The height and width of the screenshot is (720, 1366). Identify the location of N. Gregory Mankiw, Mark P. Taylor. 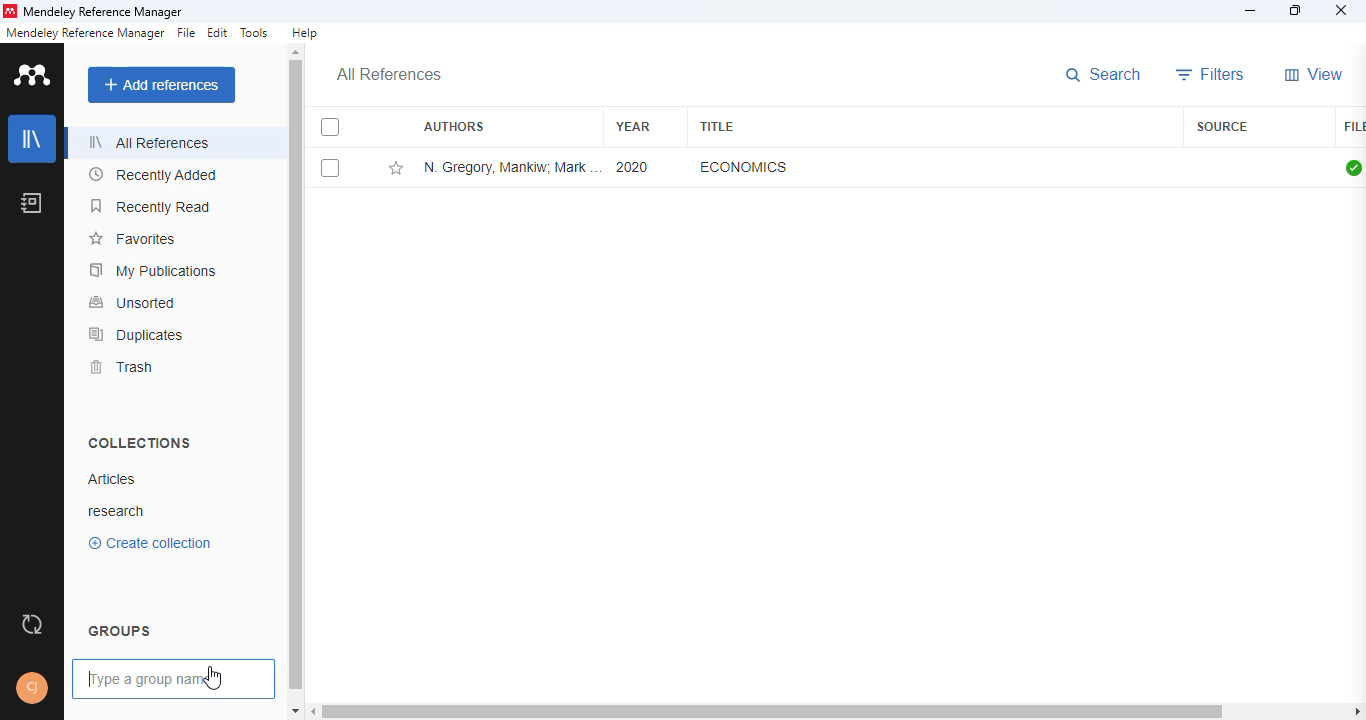
(513, 167).